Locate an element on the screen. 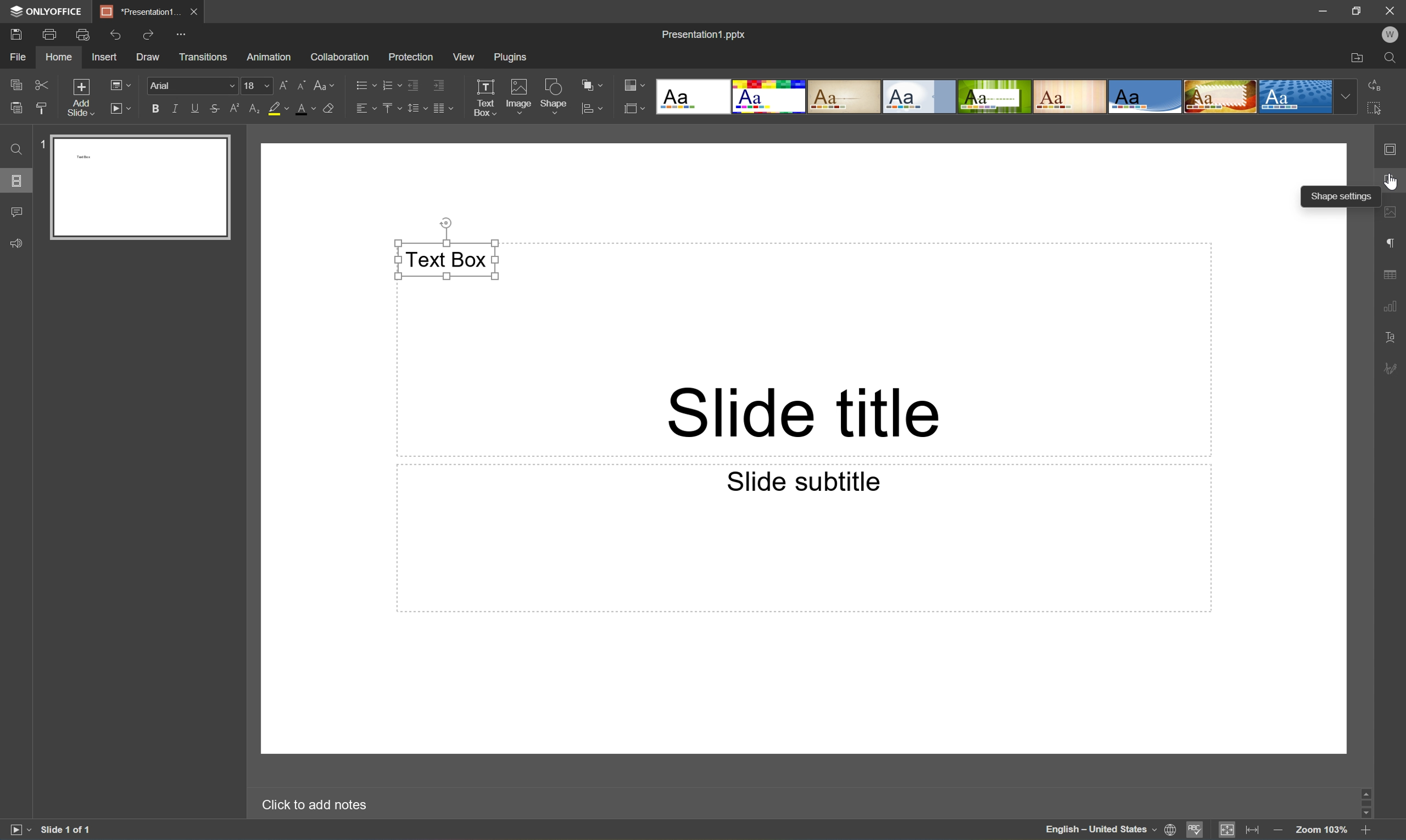 Image resolution: width=1406 pixels, height=840 pixels. Numbering is located at coordinates (387, 84).